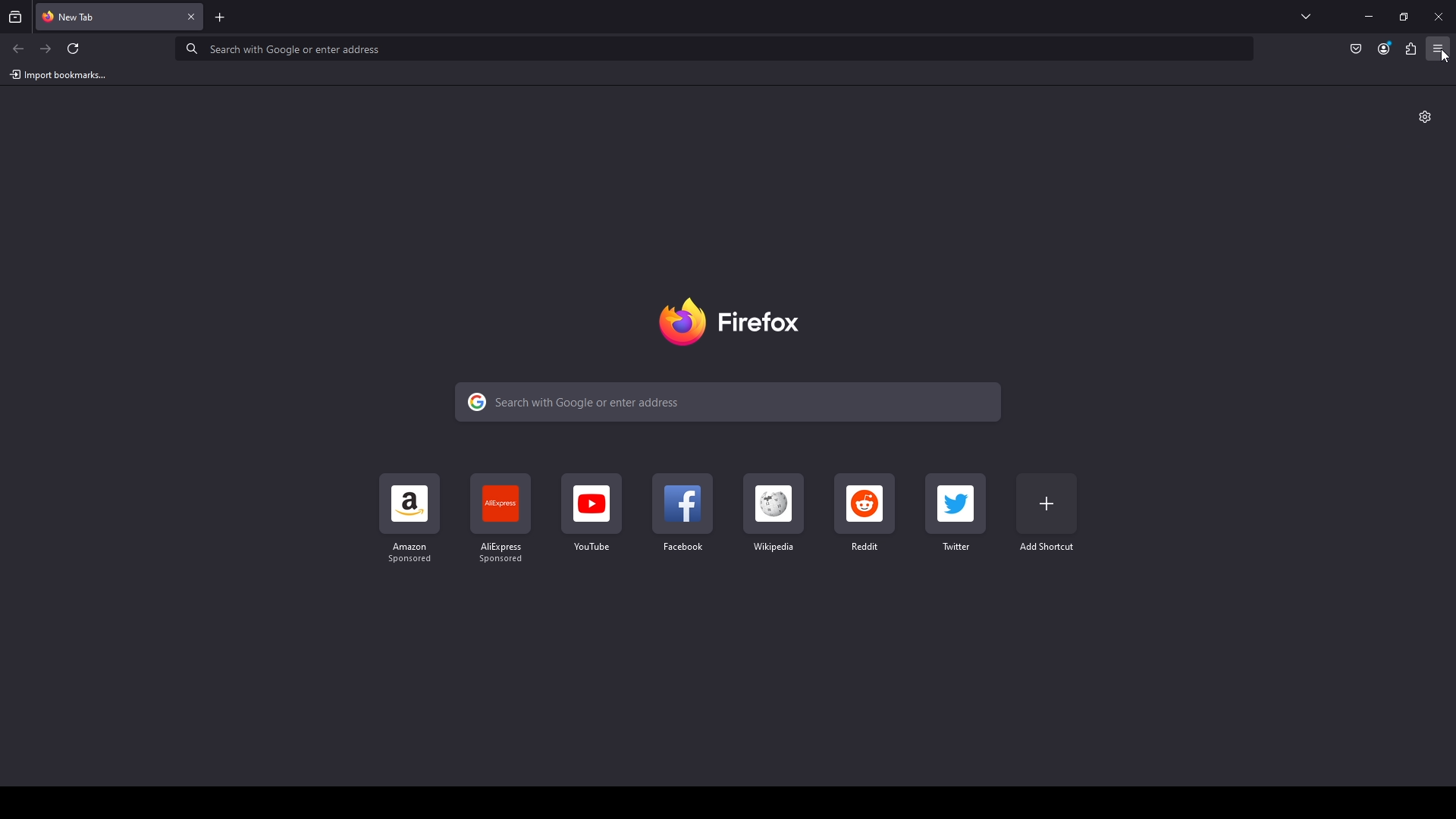 The height and width of the screenshot is (819, 1456). I want to click on Account, so click(1384, 49).